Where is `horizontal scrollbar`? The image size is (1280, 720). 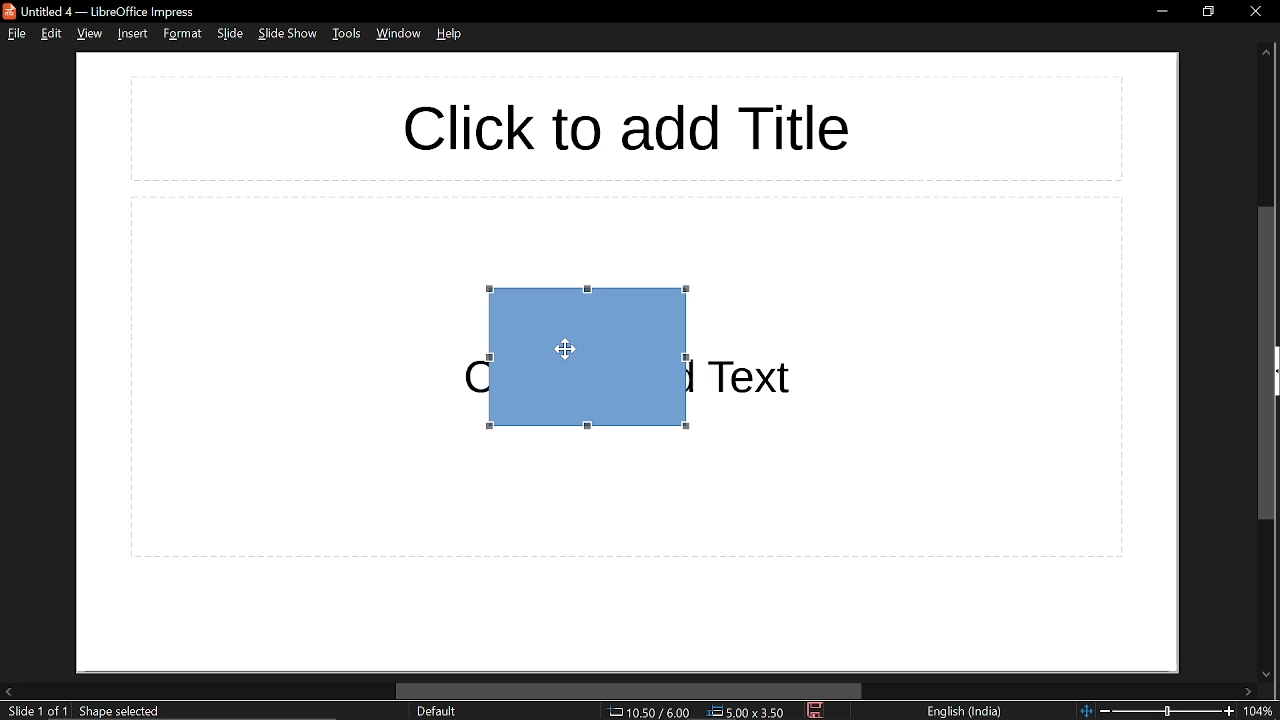 horizontal scrollbar is located at coordinates (630, 691).